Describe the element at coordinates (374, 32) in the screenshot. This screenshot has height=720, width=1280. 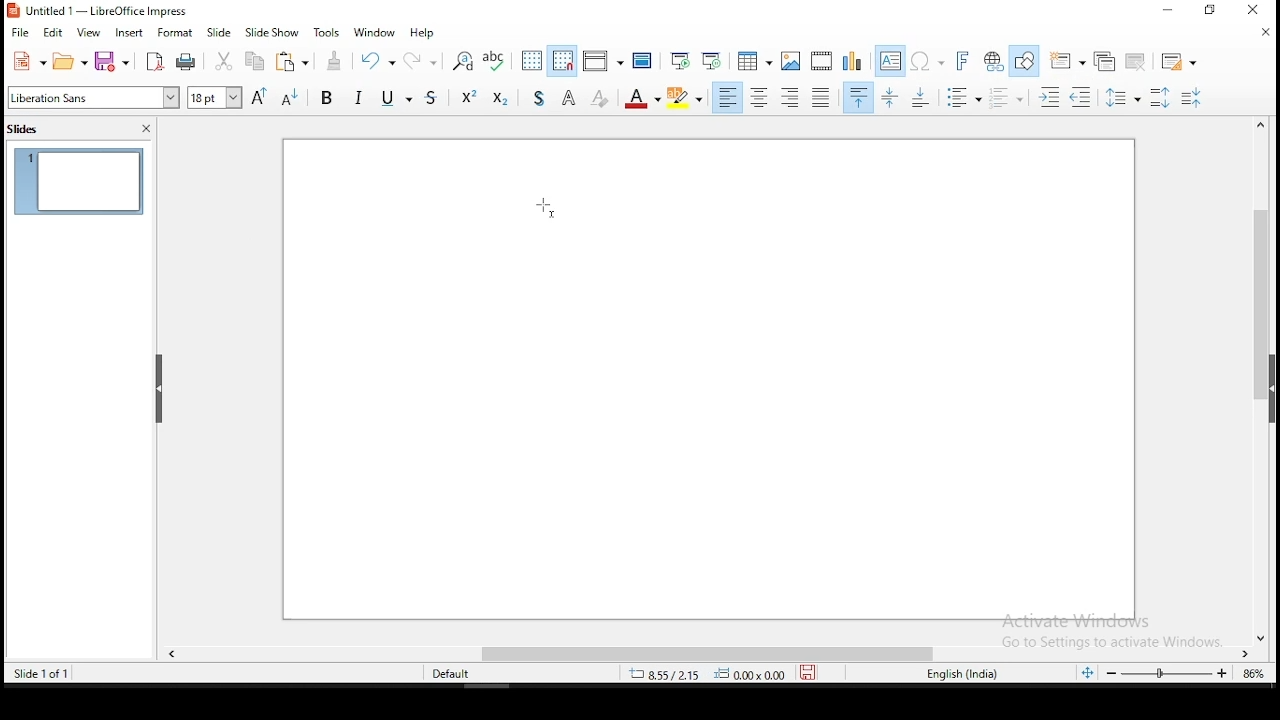
I see `window` at that location.